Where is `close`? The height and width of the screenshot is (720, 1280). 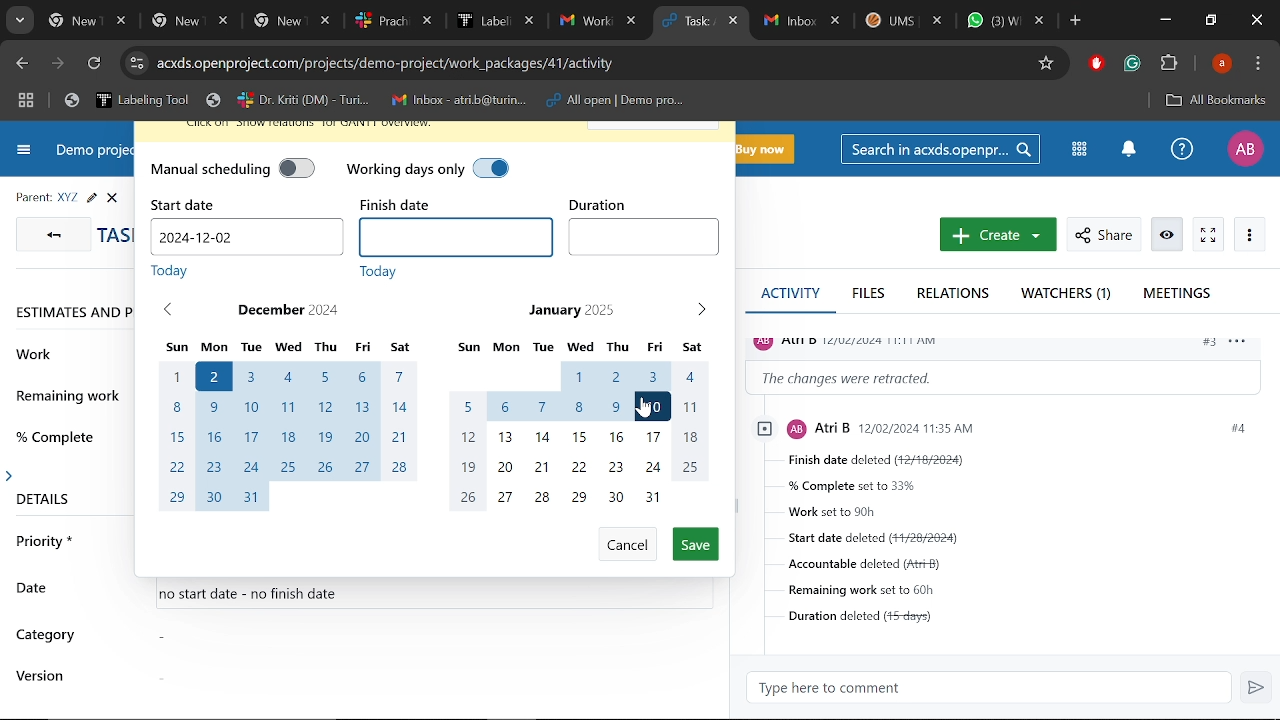 close is located at coordinates (116, 199).